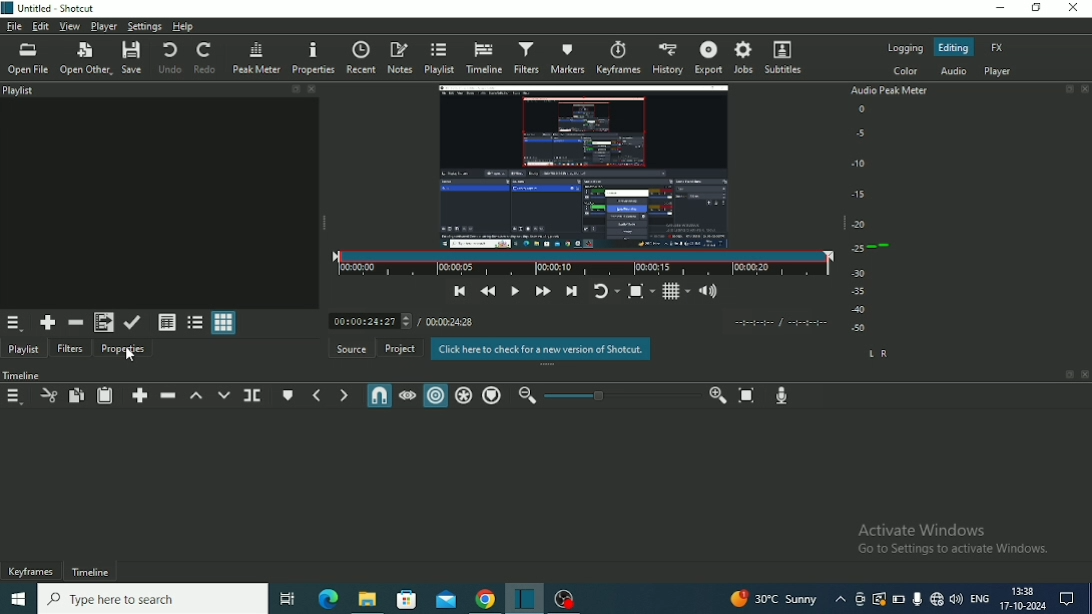 This screenshot has height=614, width=1092. What do you see at coordinates (619, 57) in the screenshot?
I see `Keyframes` at bounding box center [619, 57].